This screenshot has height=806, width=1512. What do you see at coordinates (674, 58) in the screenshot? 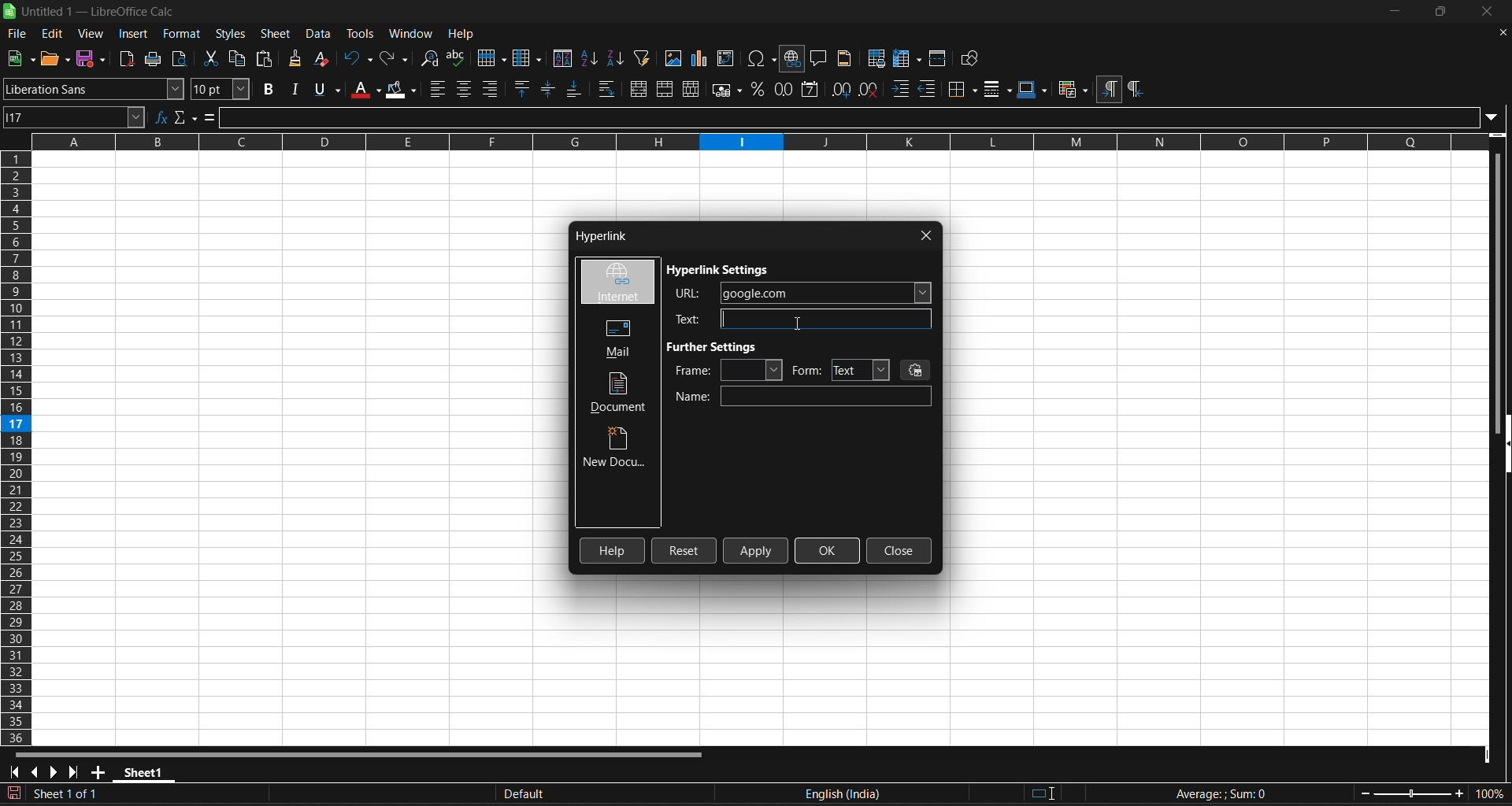
I see `insert image` at bounding box center [674, 58].